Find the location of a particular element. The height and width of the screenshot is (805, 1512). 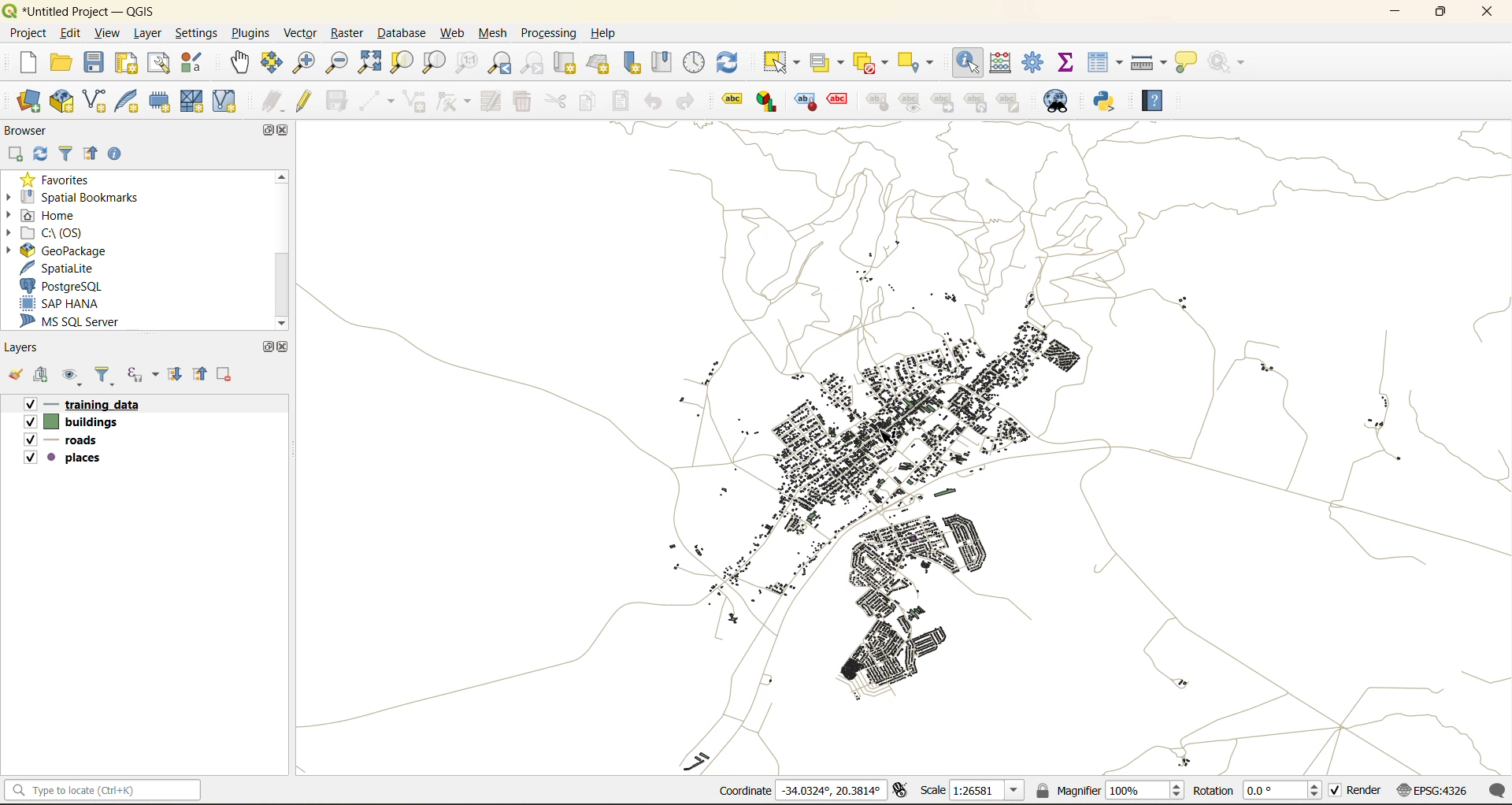

measure line is located at coordinates (1151, 62).